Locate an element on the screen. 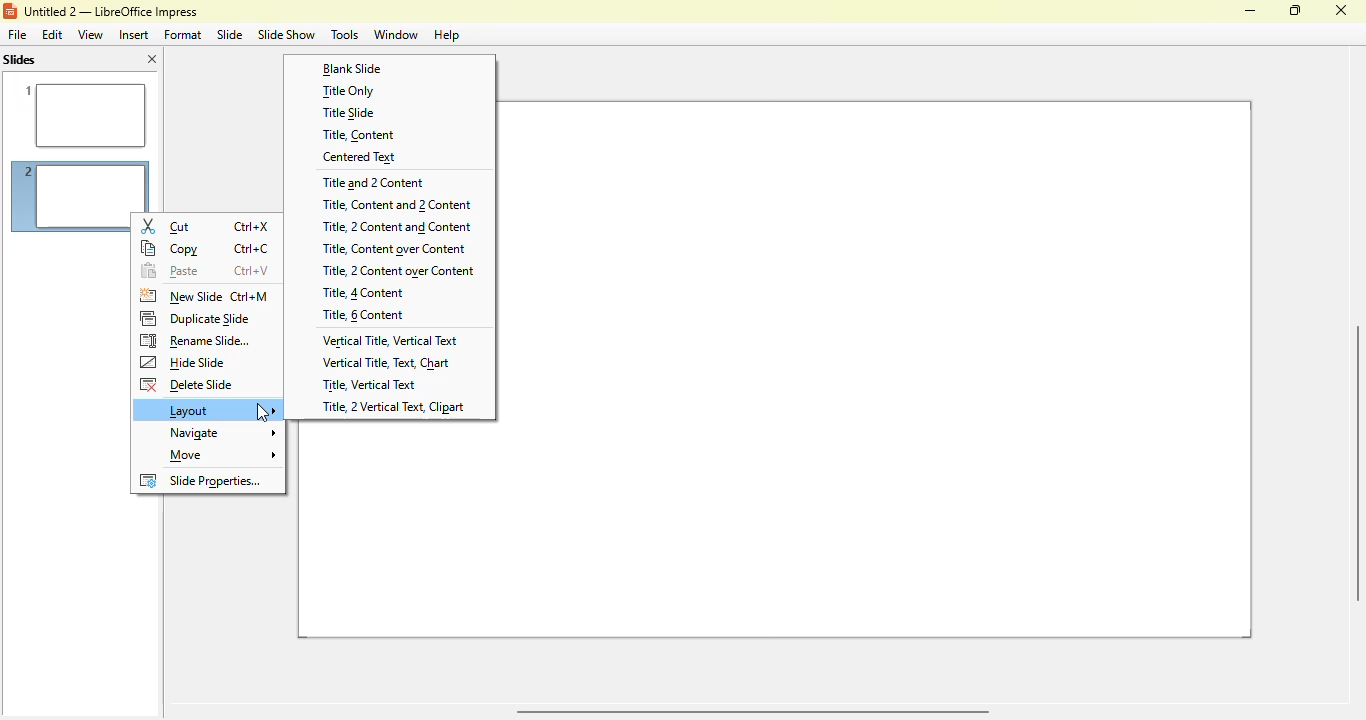  paste is located at coordinates (170, 271).